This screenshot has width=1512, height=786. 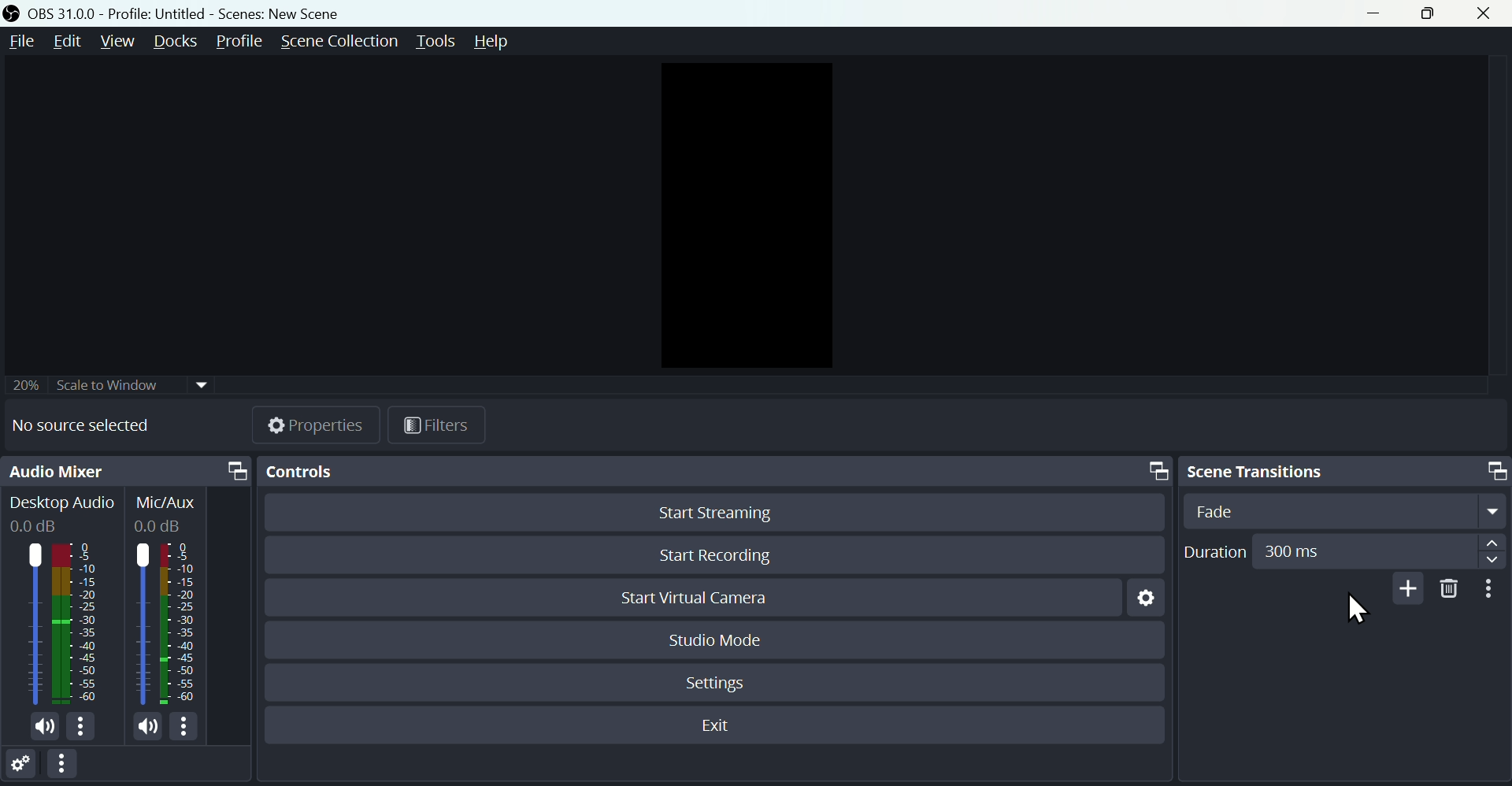 I want to click on No source selected, so click(x=98, y=425).